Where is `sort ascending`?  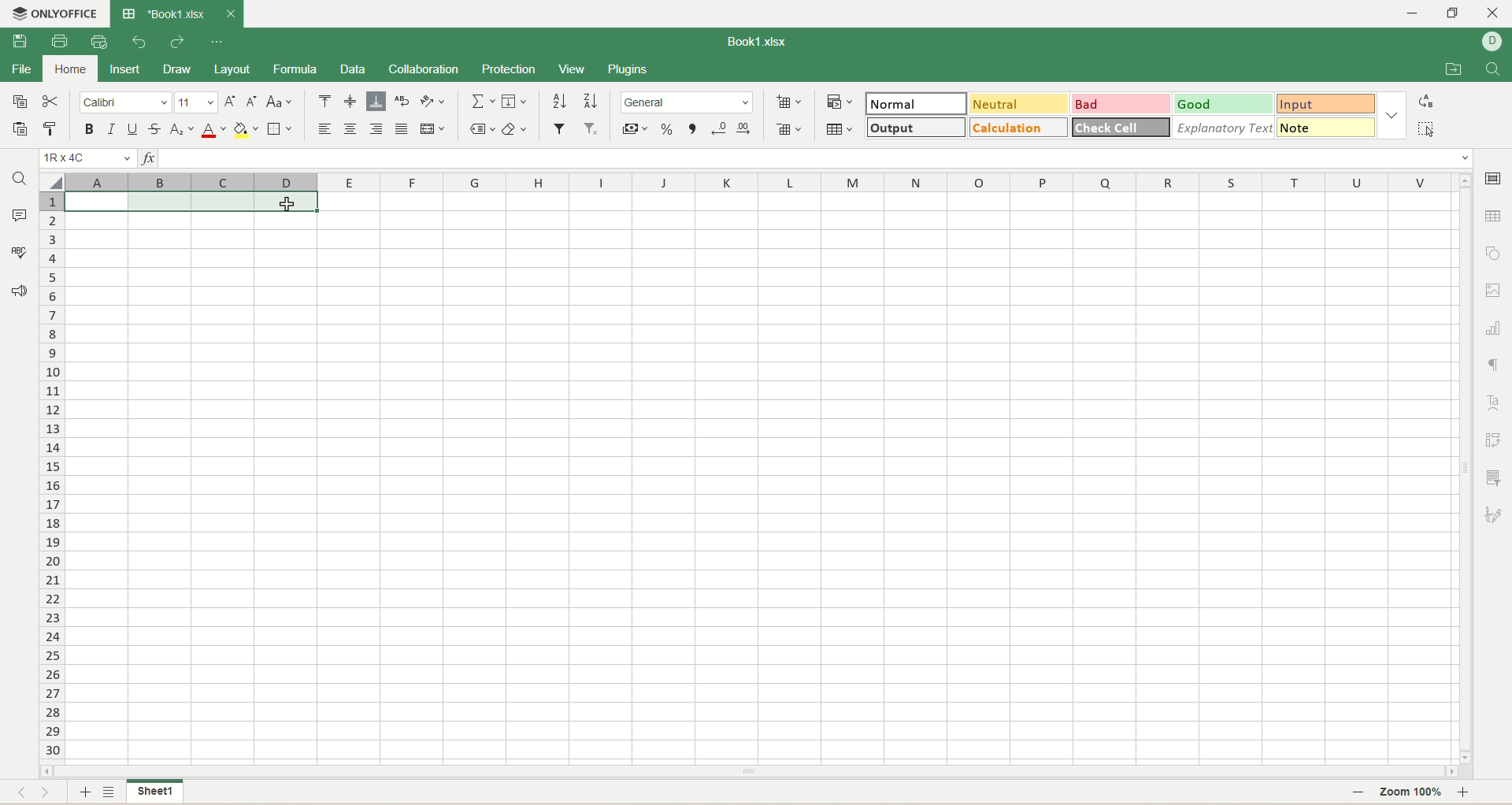 sort ascending is located at coordinates (559, 101).